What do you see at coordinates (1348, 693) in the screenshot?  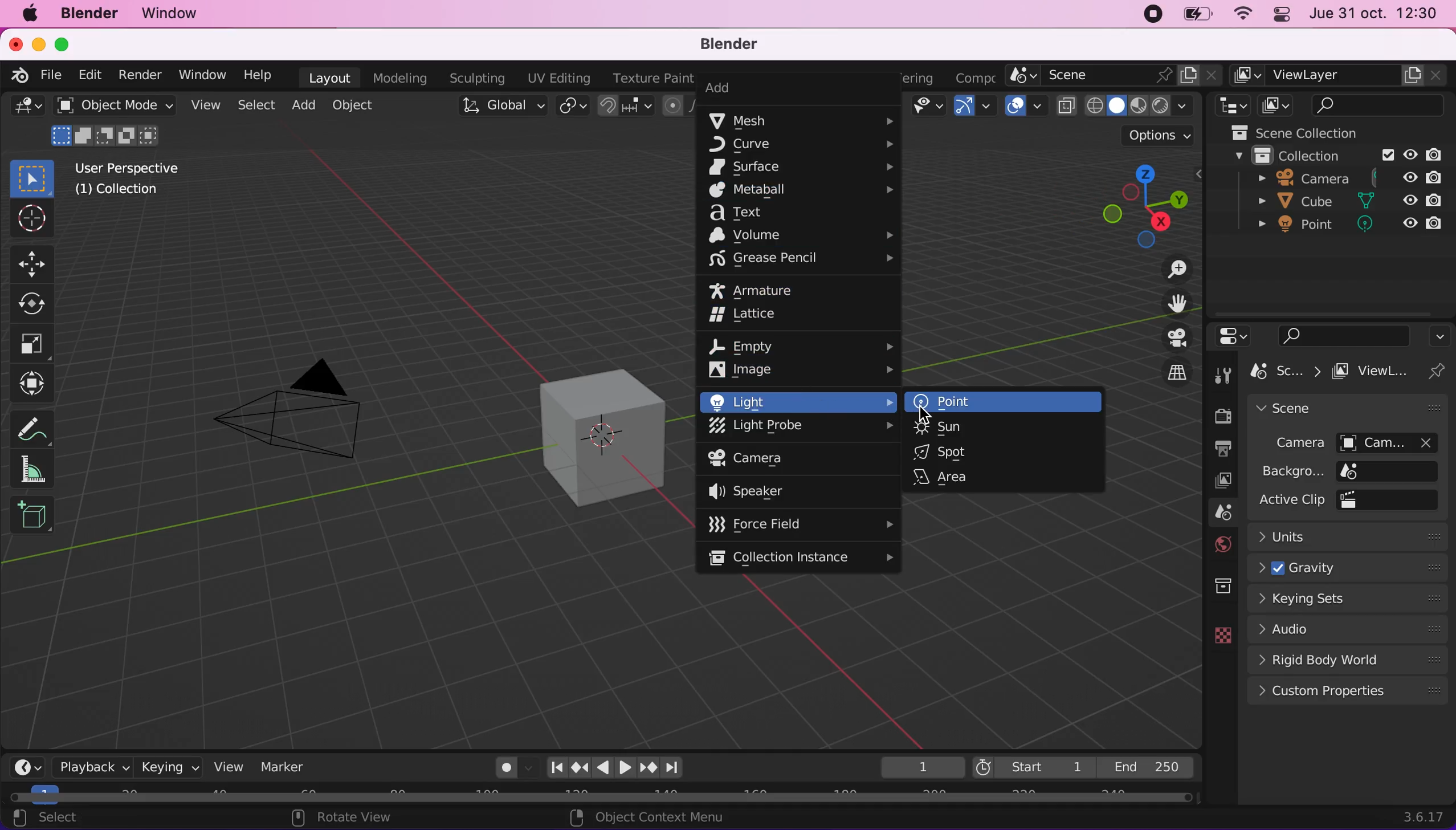 I see `custom properties` at bounding box center [1348, 693].